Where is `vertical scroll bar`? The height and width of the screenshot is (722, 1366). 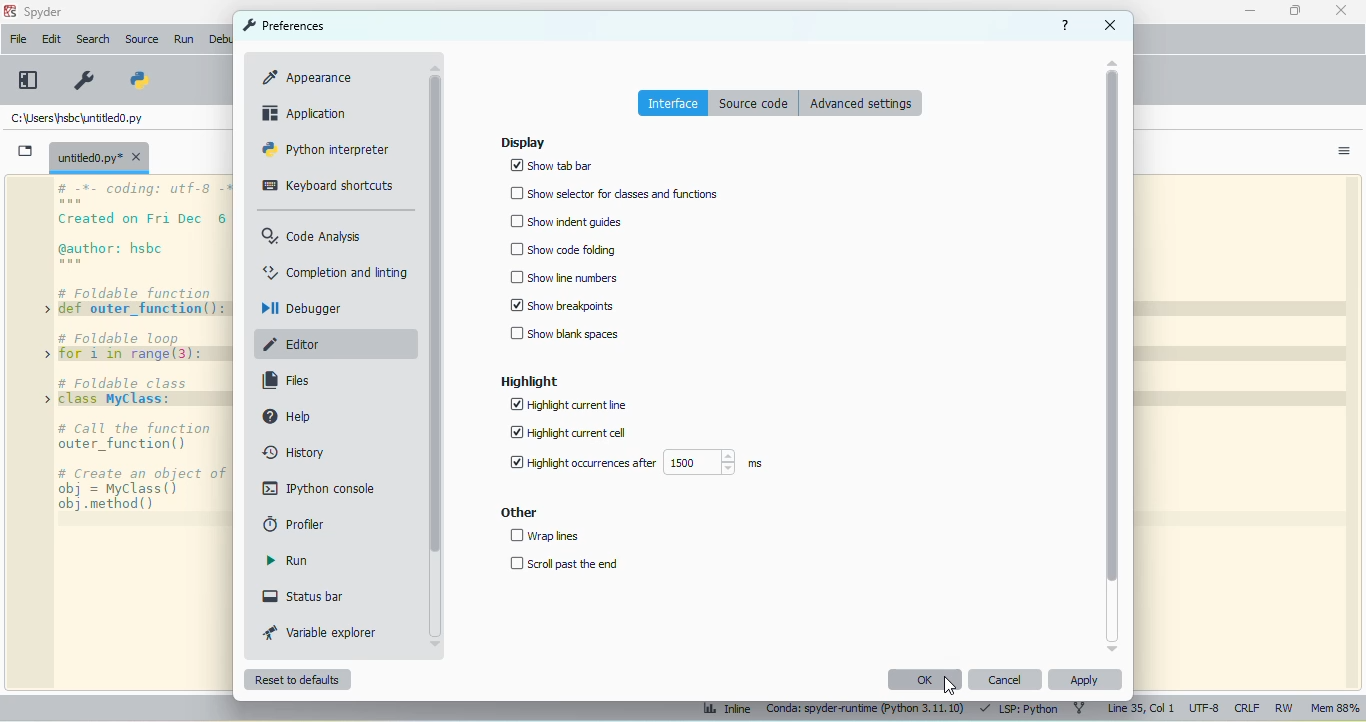
vertical scroll bar is located at coordinates (1113, 328).